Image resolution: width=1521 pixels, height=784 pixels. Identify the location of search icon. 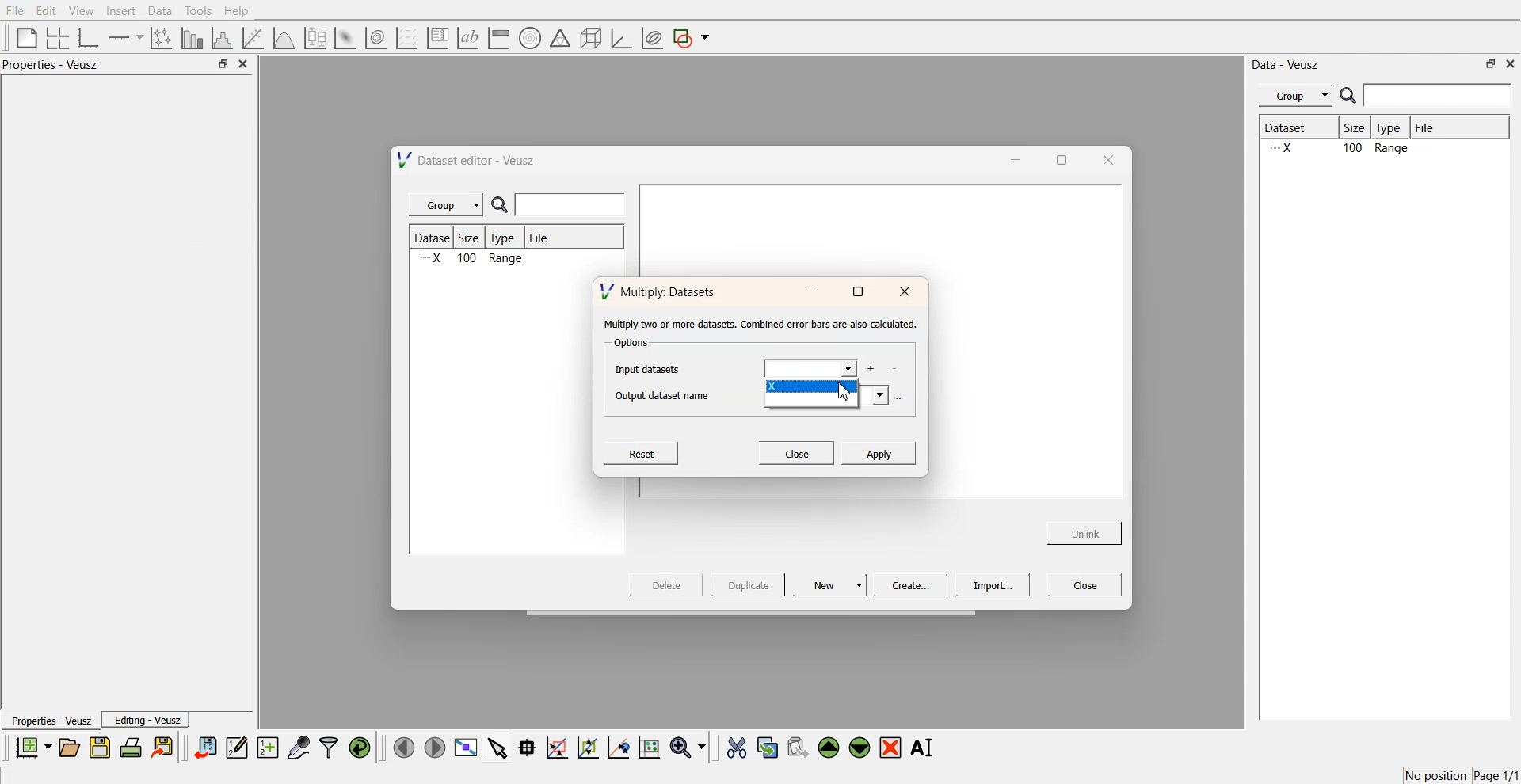
(1350, 95).